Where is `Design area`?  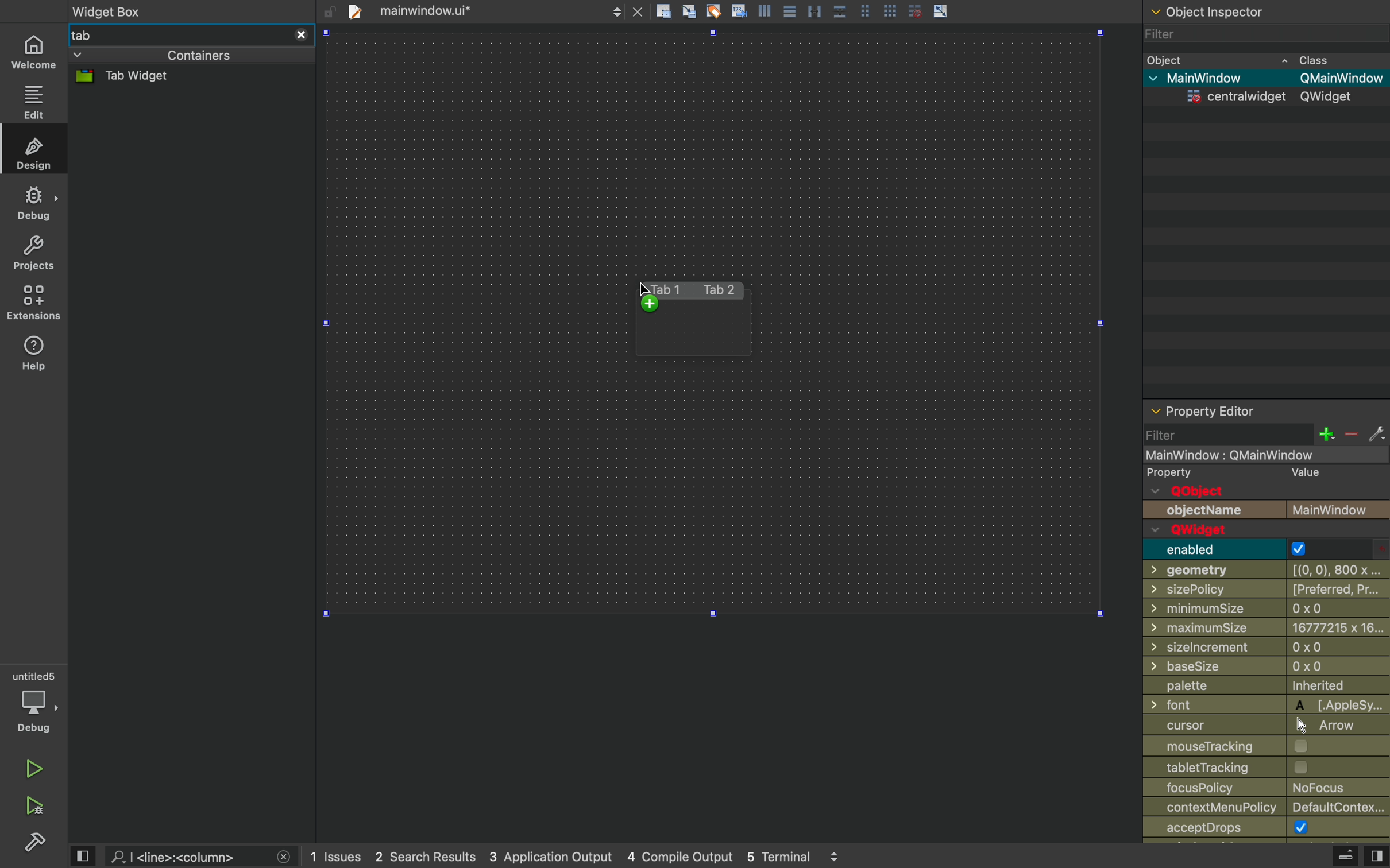 Design area is located at coordinates (716, 323).